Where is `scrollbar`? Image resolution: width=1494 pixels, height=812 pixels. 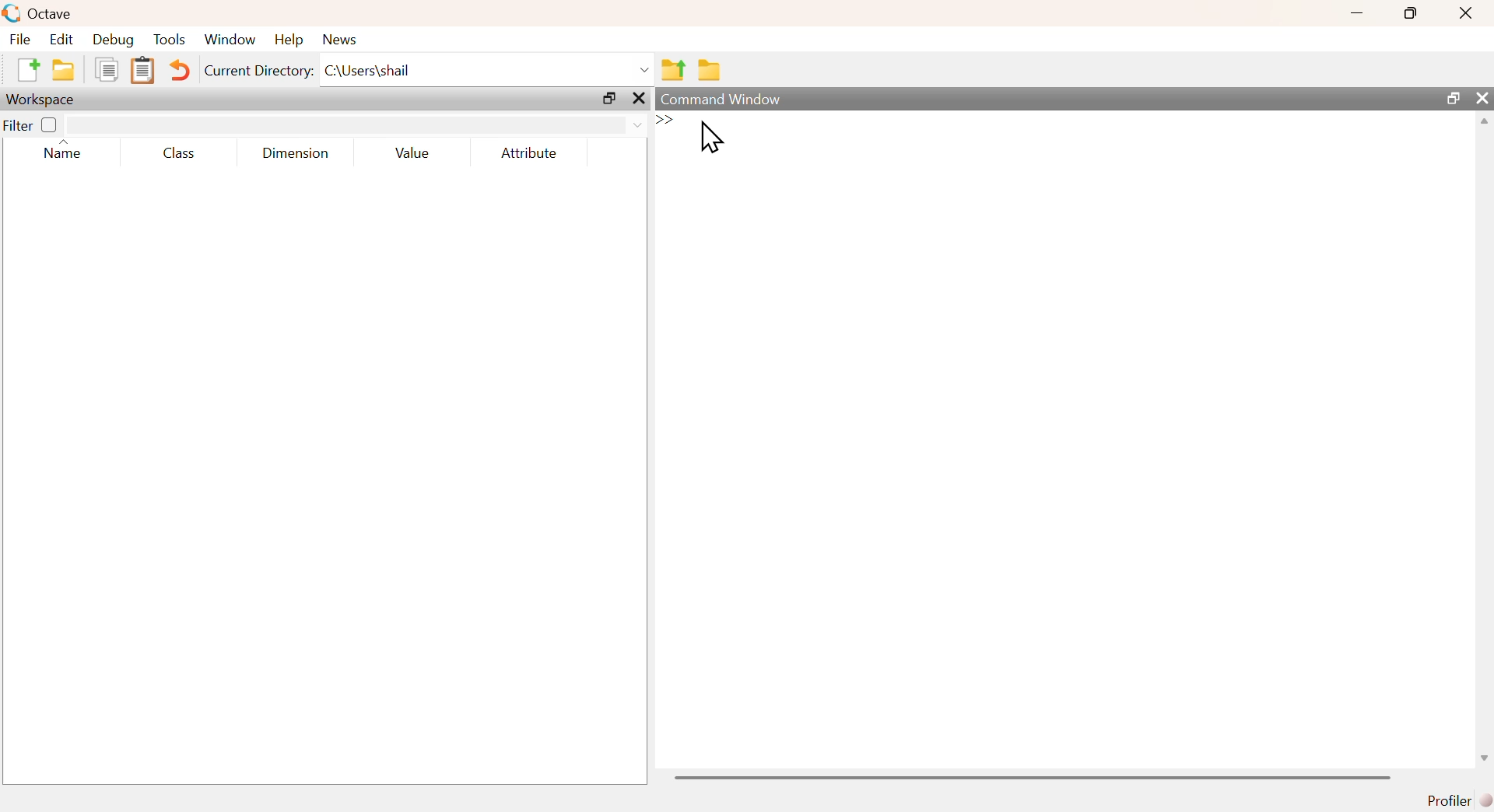 scrollbar is located at coordinates (1033, 777).